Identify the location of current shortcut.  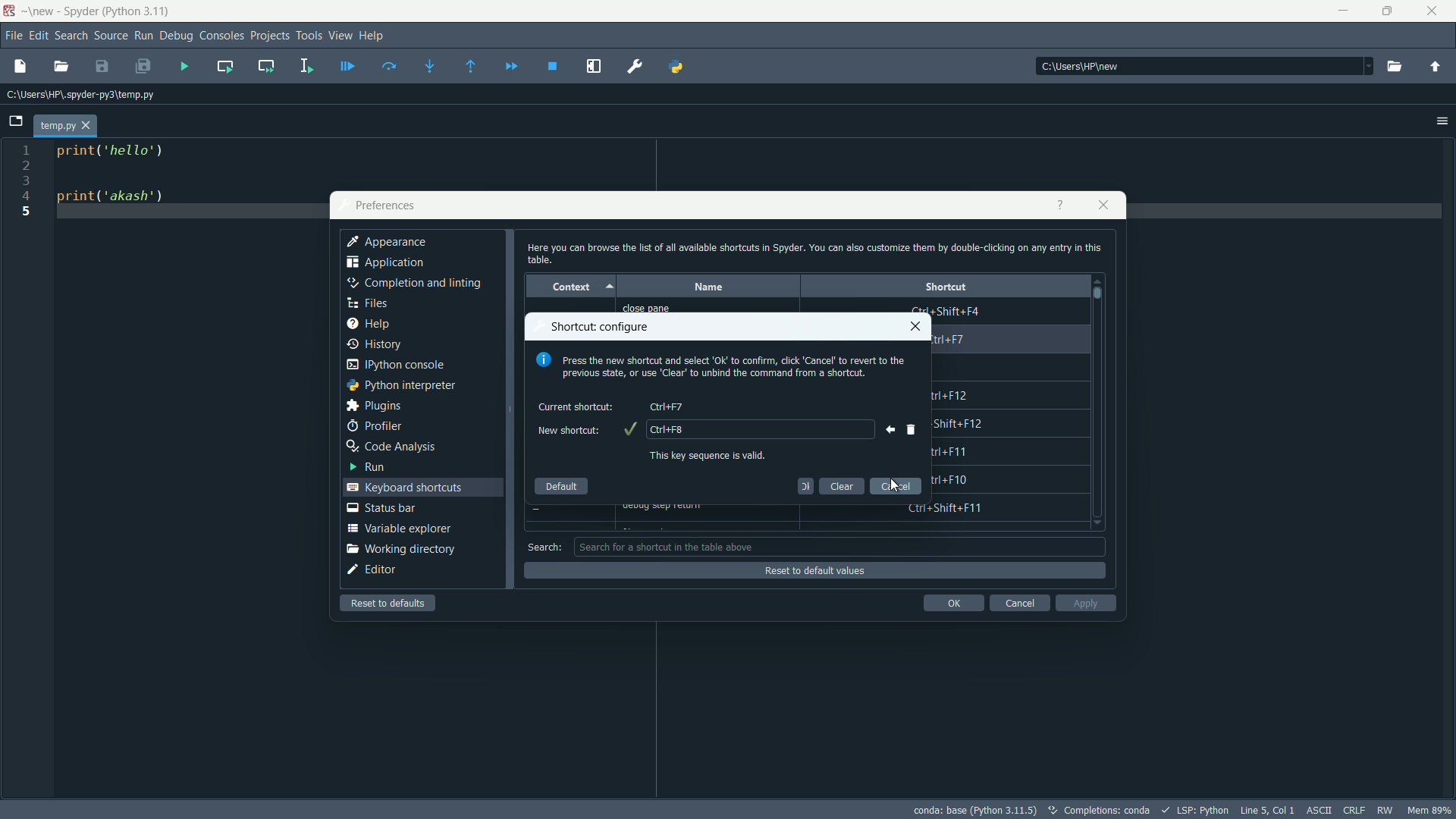
(577, 406).